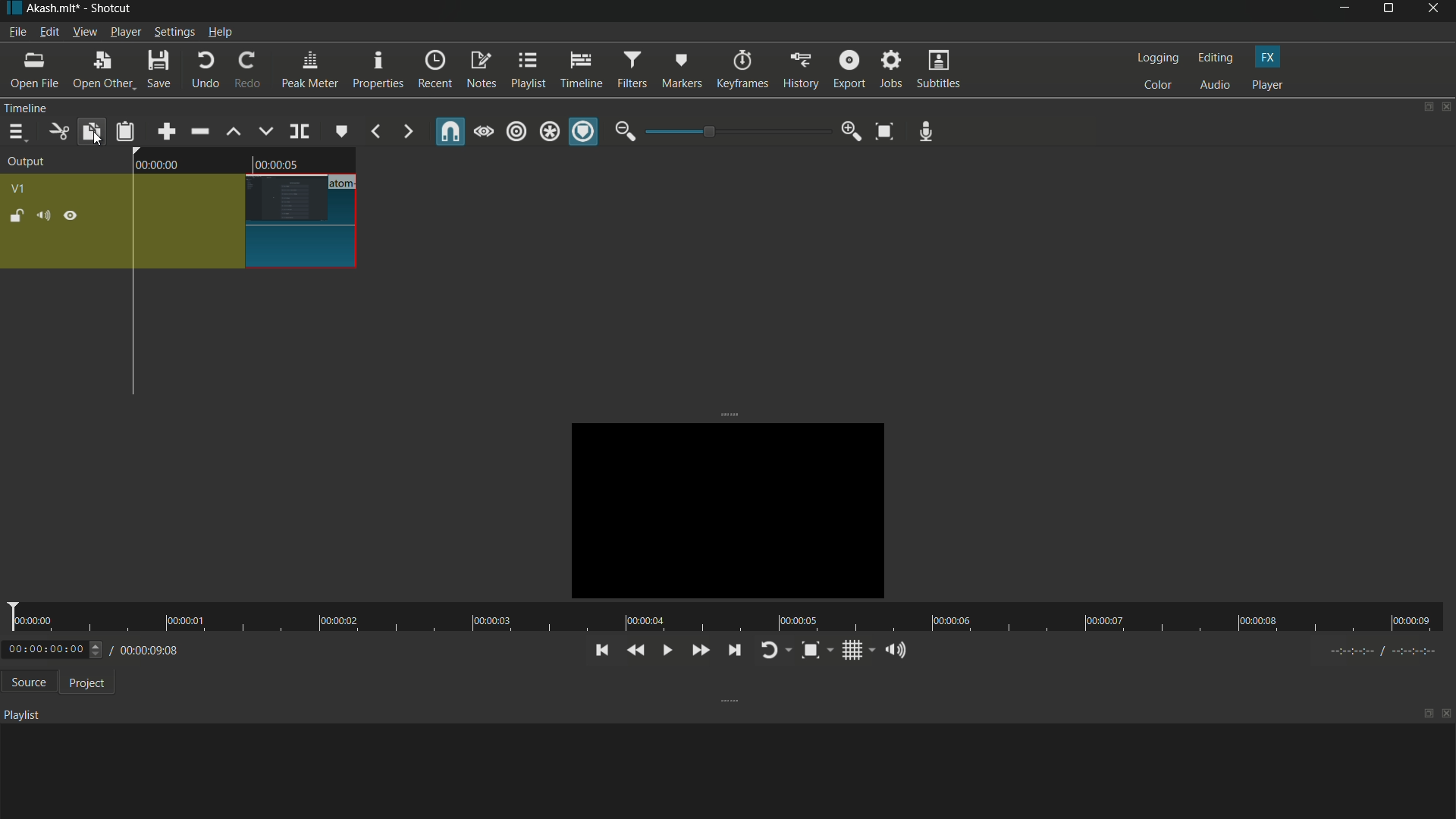  I want to click on |00:00:05, so click(277, 161).